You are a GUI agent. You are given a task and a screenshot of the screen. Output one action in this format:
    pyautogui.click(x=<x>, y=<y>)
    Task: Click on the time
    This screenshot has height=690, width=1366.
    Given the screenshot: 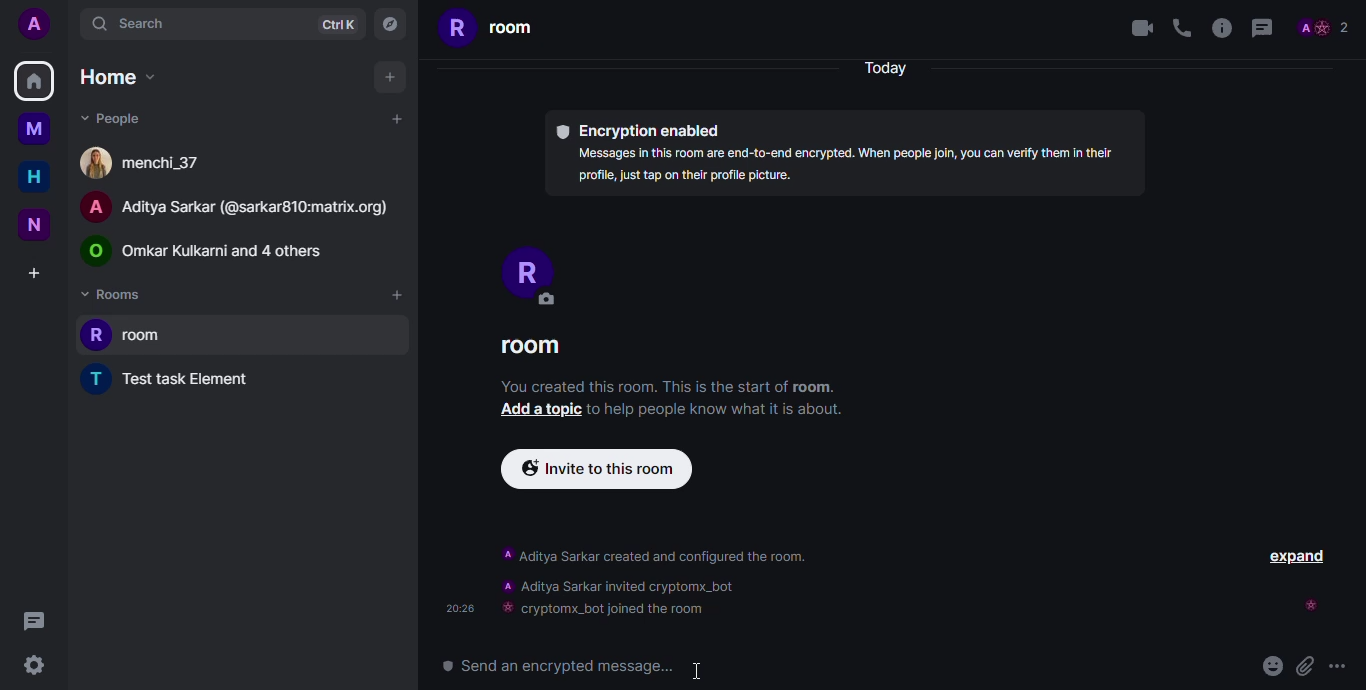 What is the action you would take?
    pyautogui.click(x=459, y=608)
    